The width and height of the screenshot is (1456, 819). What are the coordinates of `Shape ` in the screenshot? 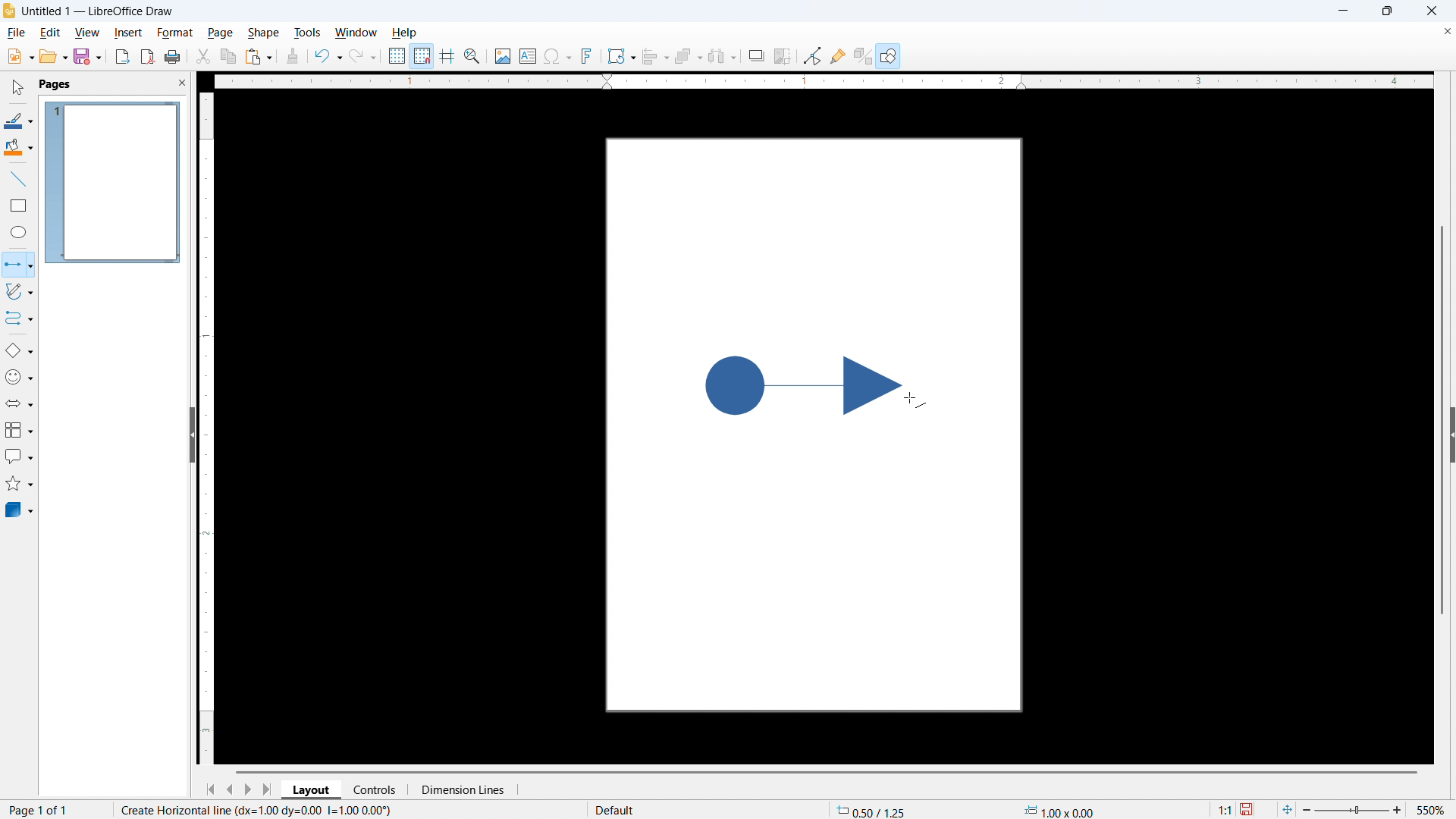 It's located at (262, 33).